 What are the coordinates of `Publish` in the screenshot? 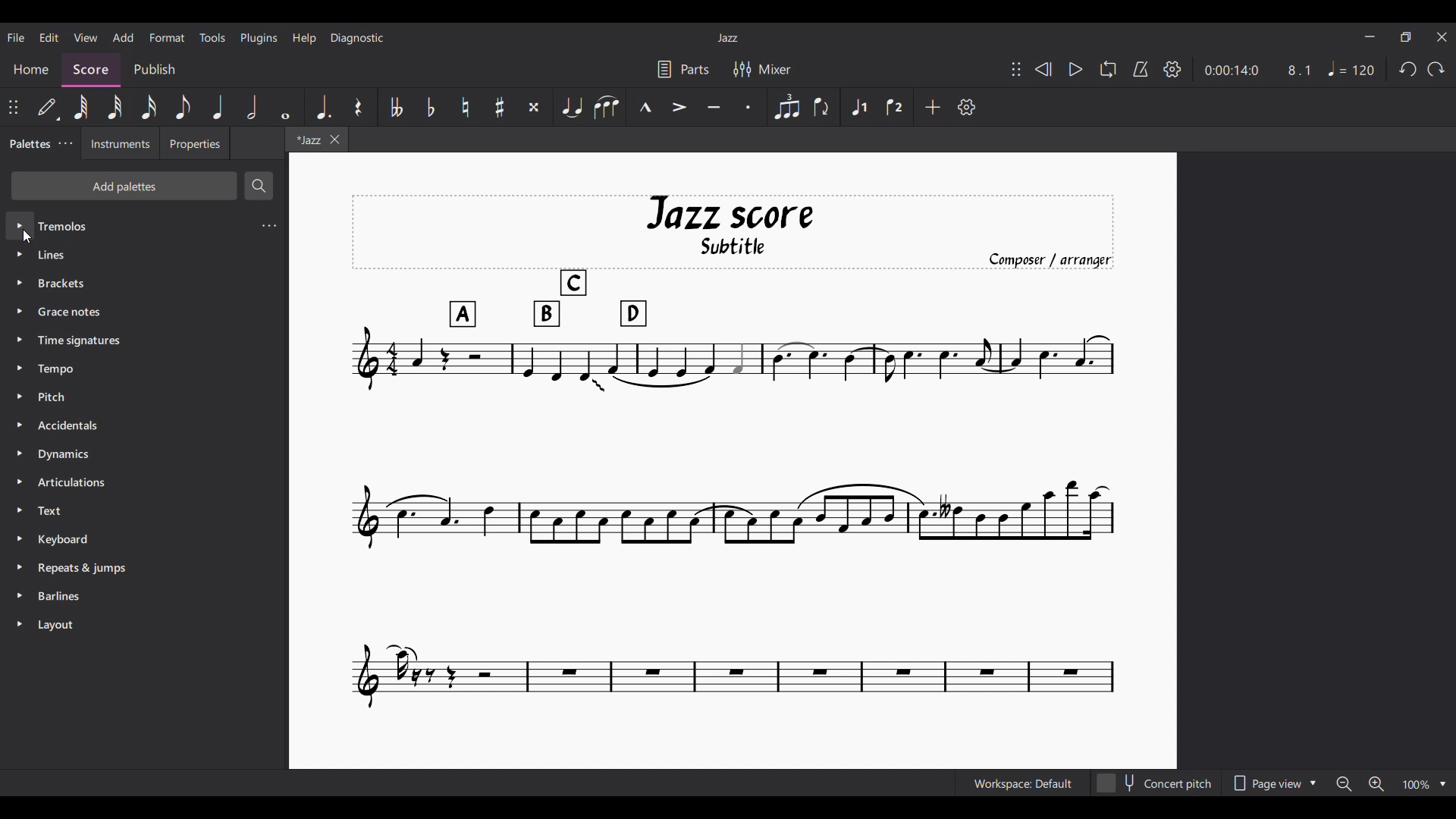 It's located at (155, 69).